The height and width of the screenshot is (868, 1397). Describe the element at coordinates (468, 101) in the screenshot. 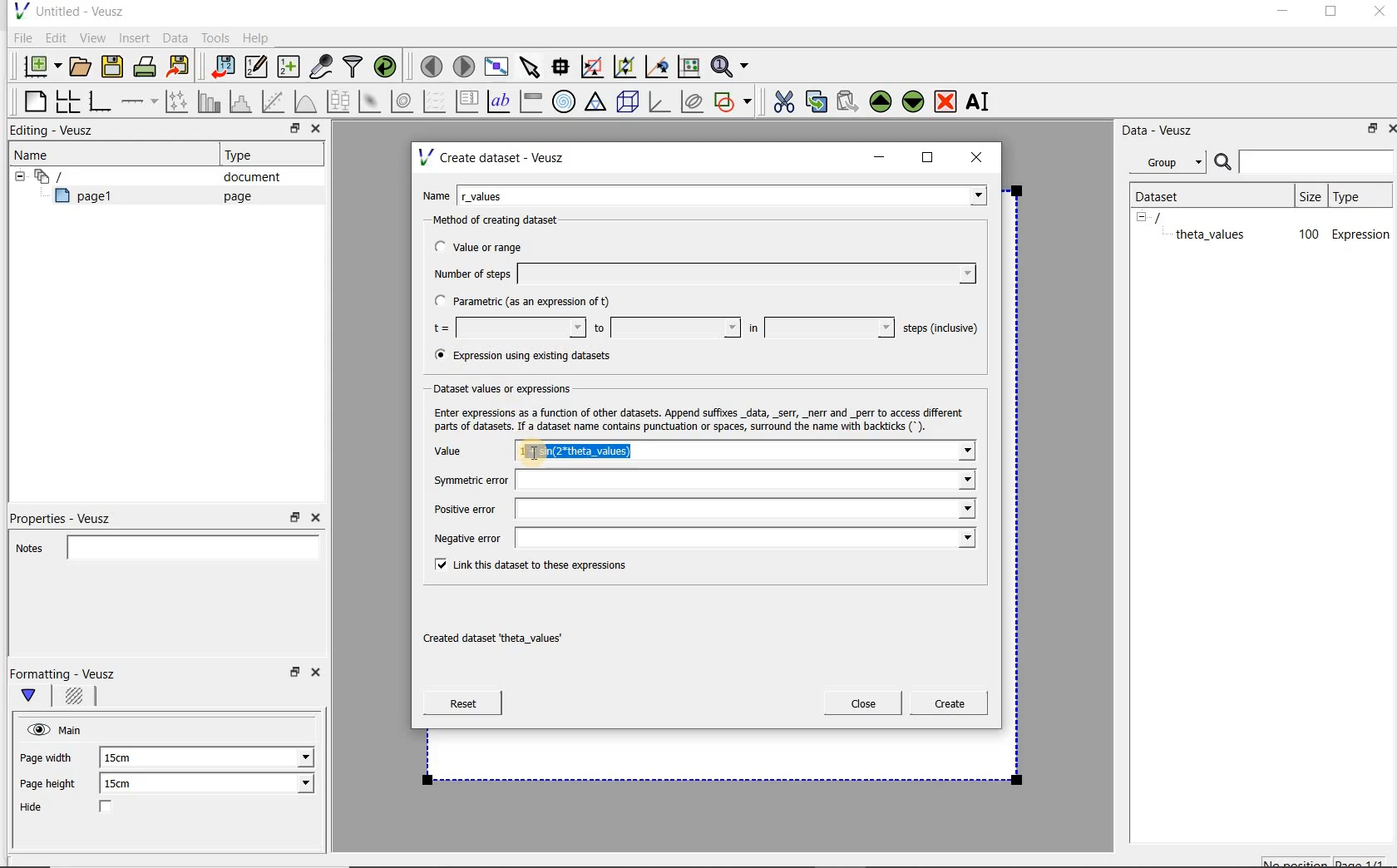

I see `plot key` at that location.